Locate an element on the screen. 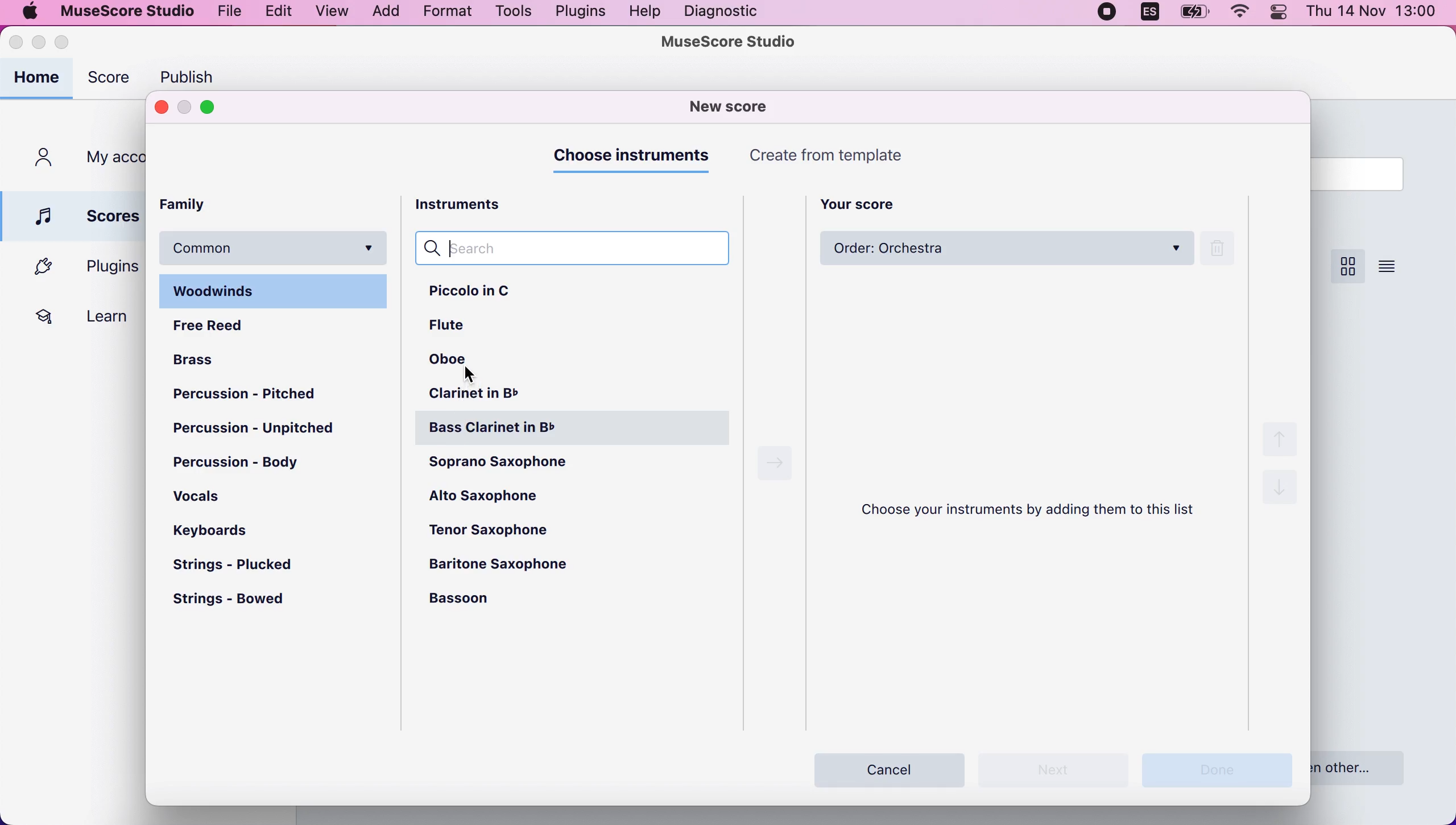 This screenshot has height=825, width=1456. brass is located at coordinates (205, 357).